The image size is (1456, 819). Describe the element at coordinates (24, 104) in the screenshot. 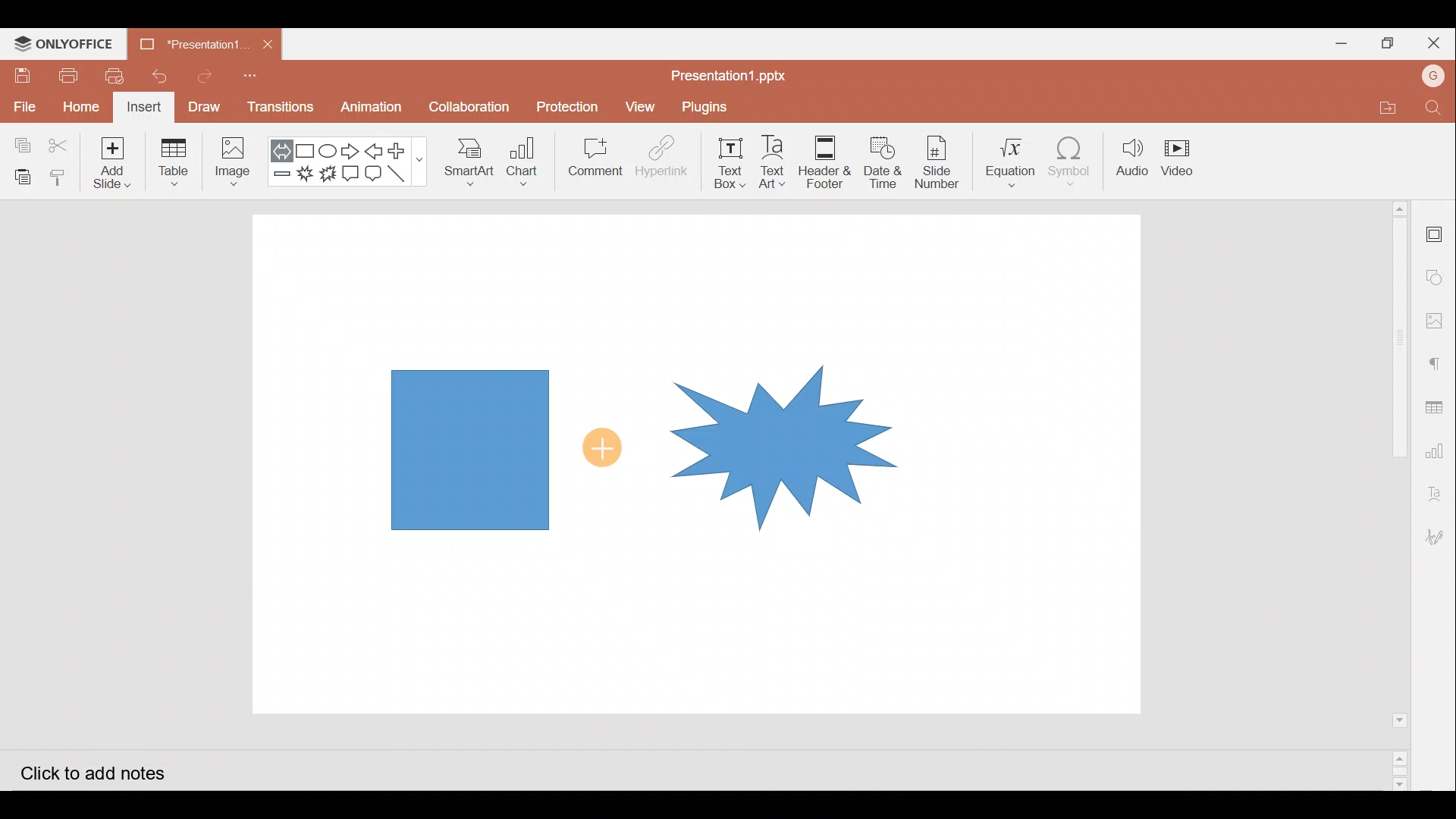

I see `File` at that location.